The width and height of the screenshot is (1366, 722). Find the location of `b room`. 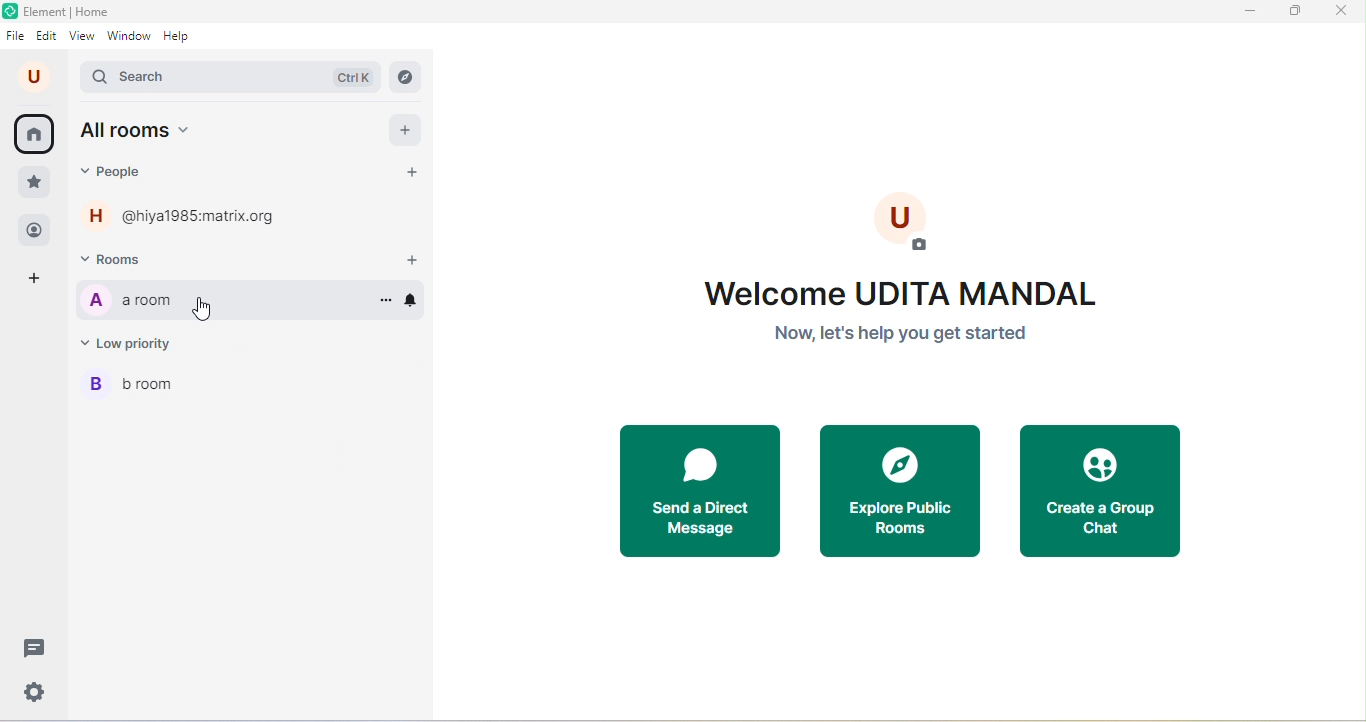

b room is located at coordinates (251, 385).